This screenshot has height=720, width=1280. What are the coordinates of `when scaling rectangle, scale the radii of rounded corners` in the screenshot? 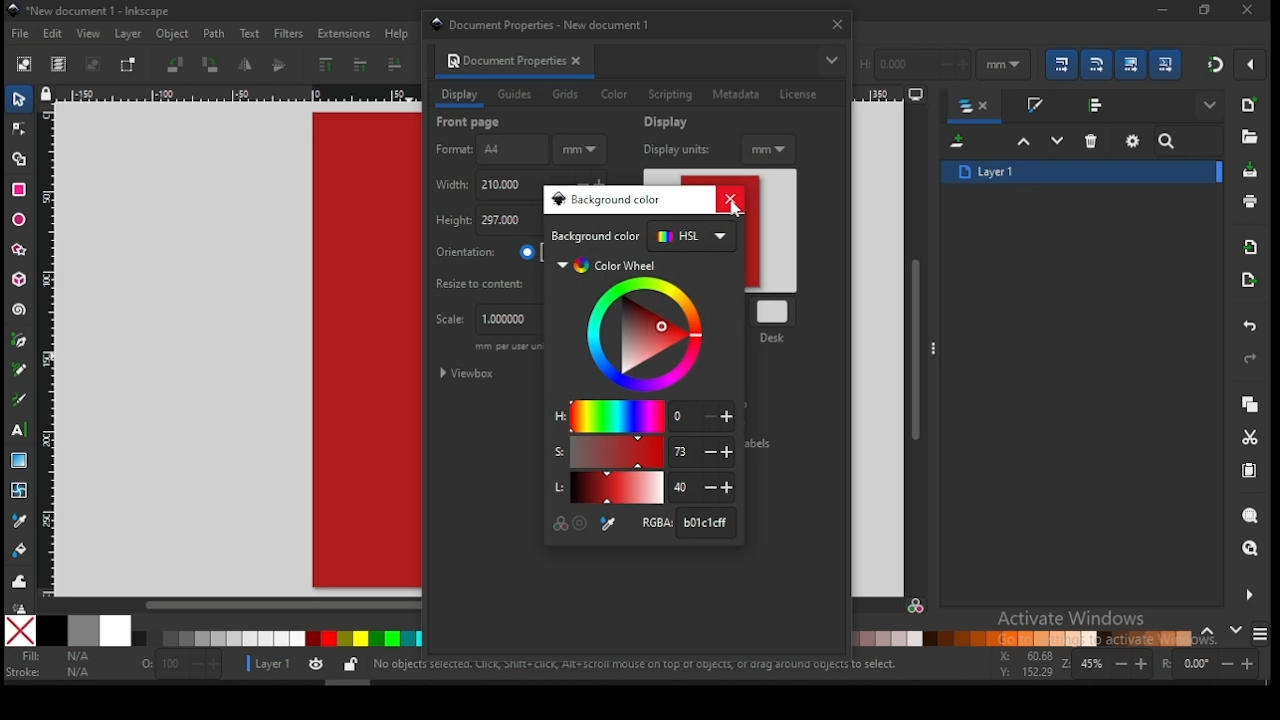 It's located at (1095, 64).